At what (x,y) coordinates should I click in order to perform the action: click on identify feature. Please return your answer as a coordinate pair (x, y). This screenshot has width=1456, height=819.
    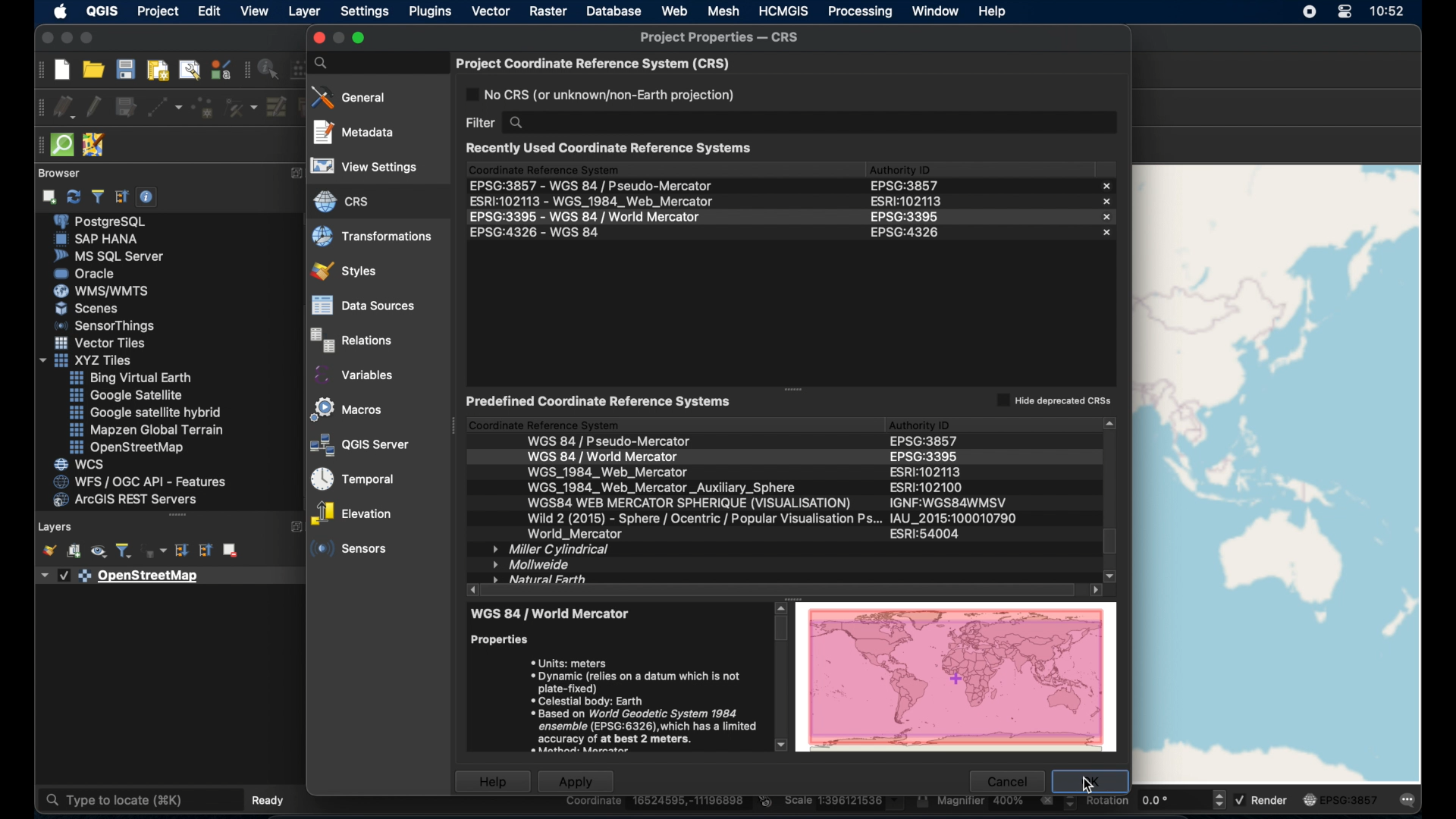
    Looking at the image, I should click on (269, 72).